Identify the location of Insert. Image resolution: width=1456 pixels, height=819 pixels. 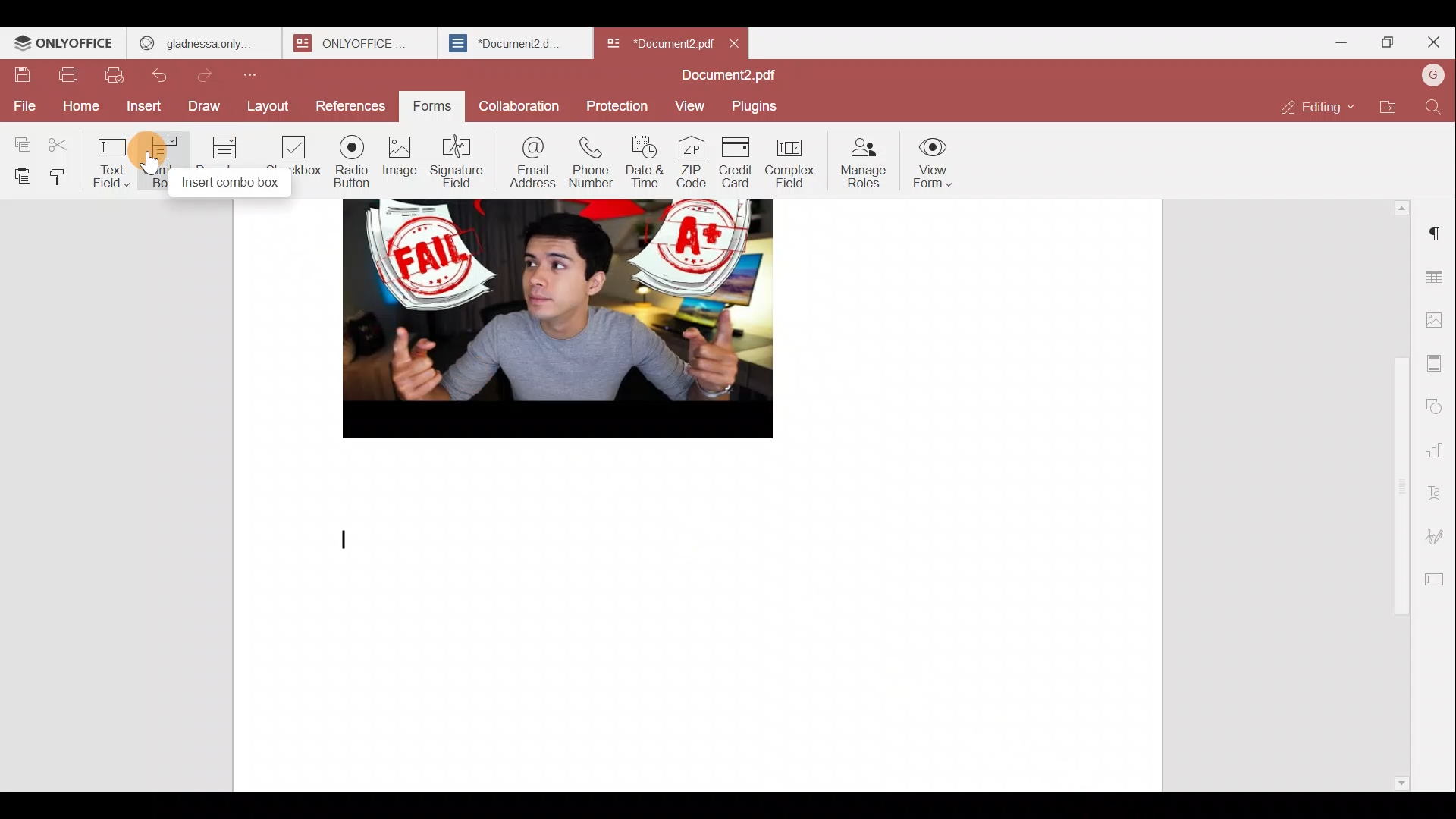
(140, 106).